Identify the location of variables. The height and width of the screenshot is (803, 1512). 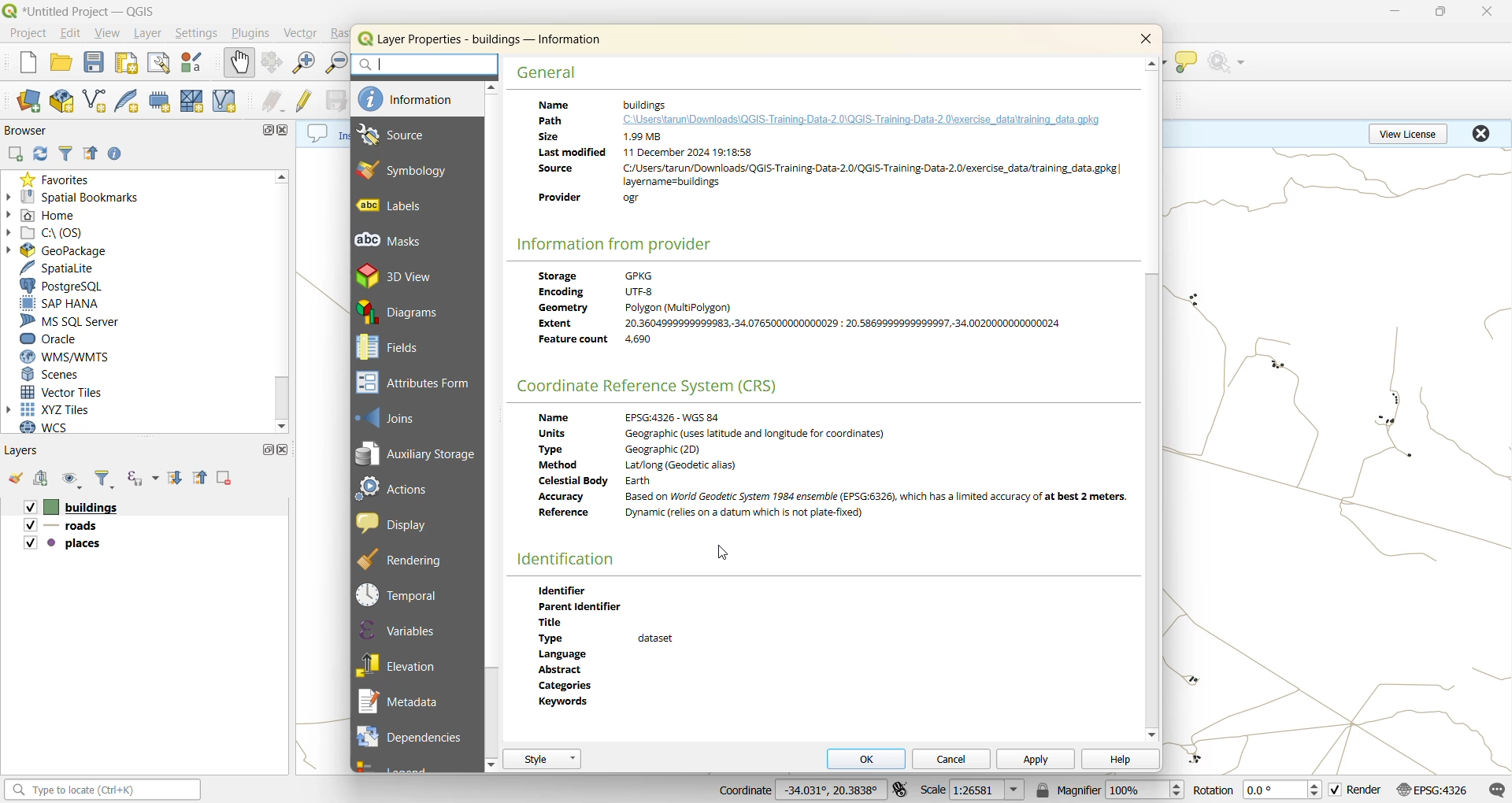
(404, 629).